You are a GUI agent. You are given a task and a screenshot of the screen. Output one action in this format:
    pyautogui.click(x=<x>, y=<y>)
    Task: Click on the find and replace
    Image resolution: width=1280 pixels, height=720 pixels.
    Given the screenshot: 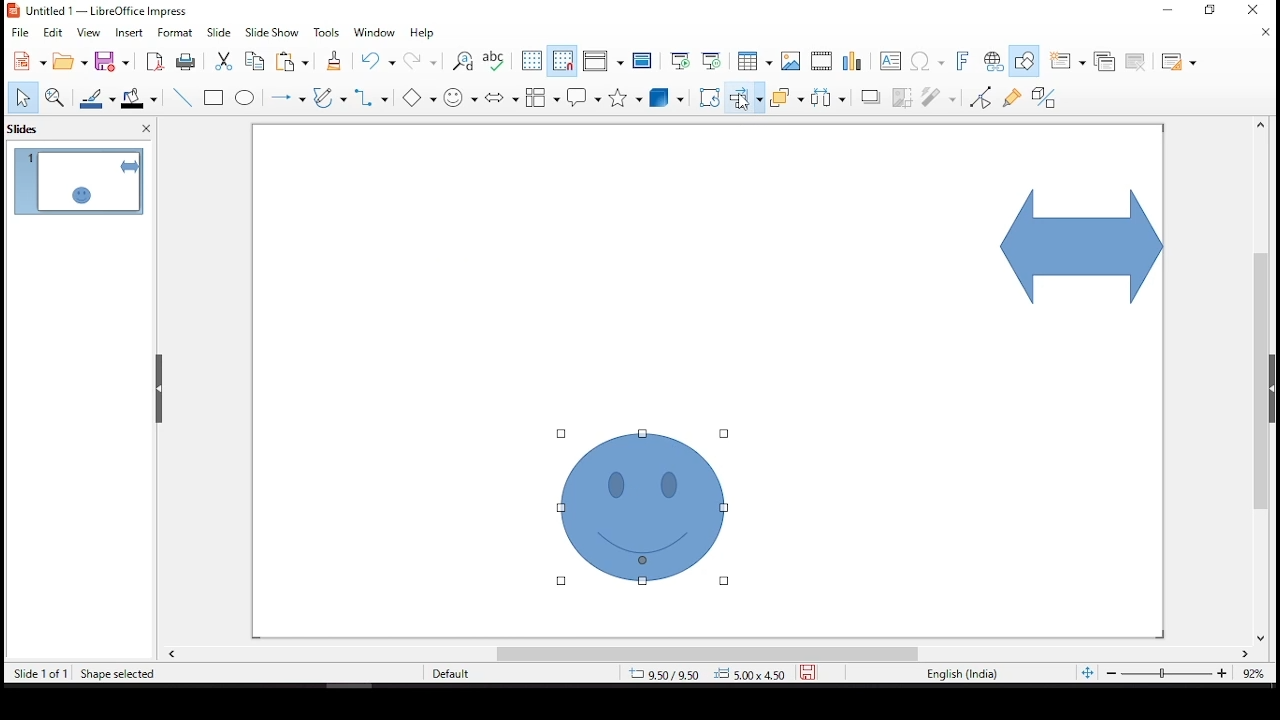 What is the action you would take?
    pyautogui.click(x=464, y=61)
    